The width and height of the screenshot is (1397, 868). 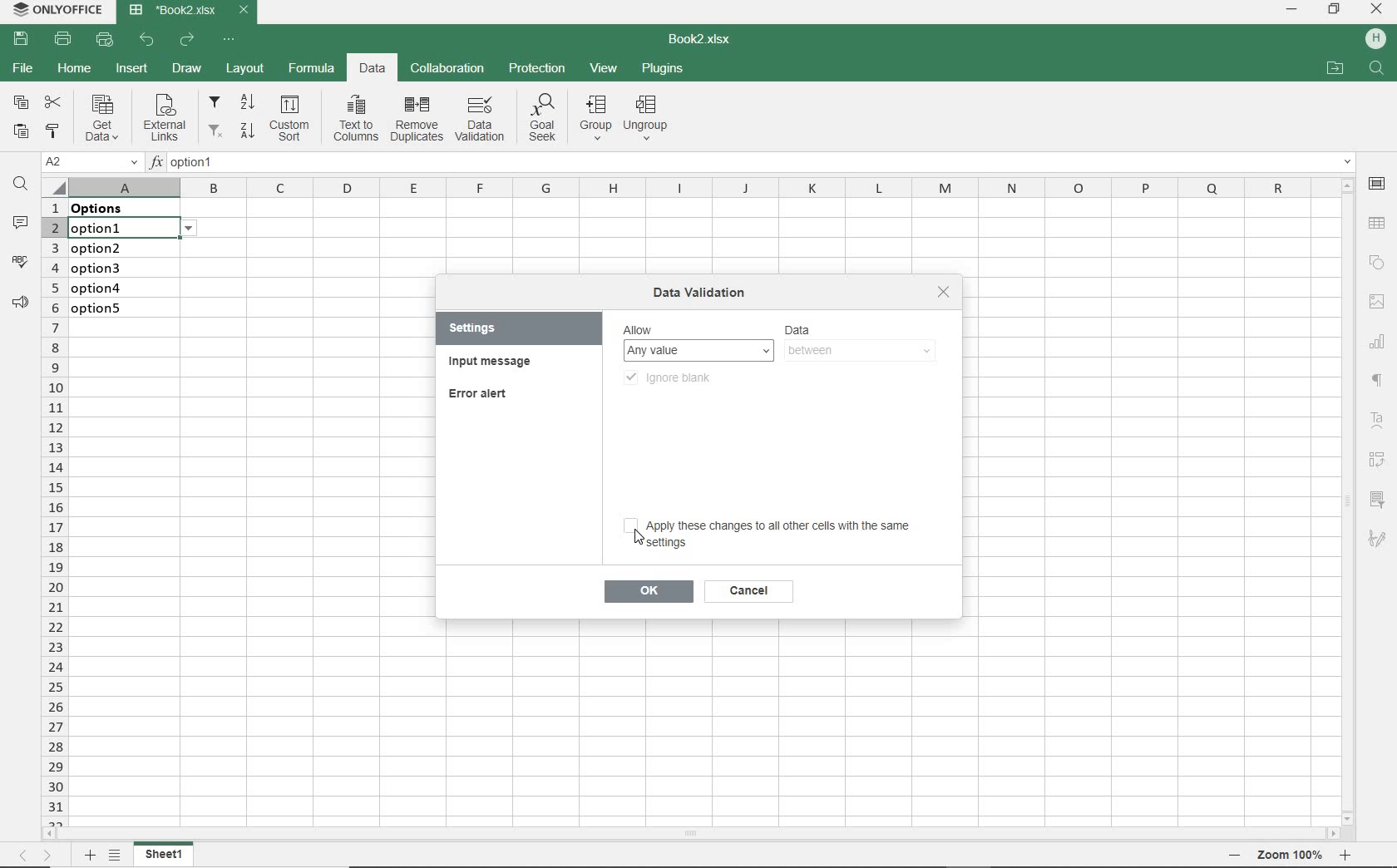 What do you see at coordinates (663, 70) in the screenshot?
I see `PLUGINS` at bounding box center [663, 70].